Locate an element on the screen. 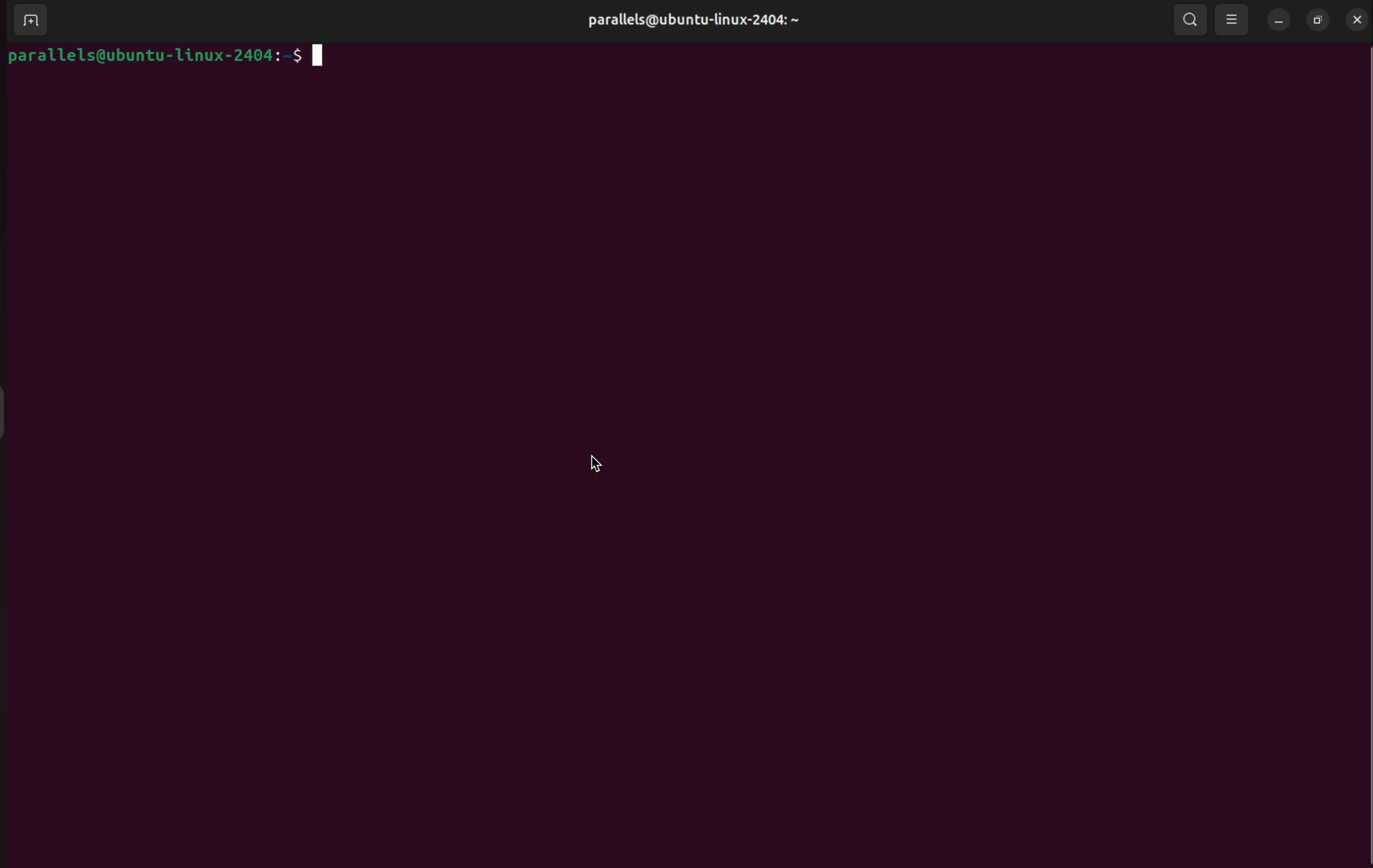 The image size is (1373, 868). minimize is located at coordinates (1277, 21).